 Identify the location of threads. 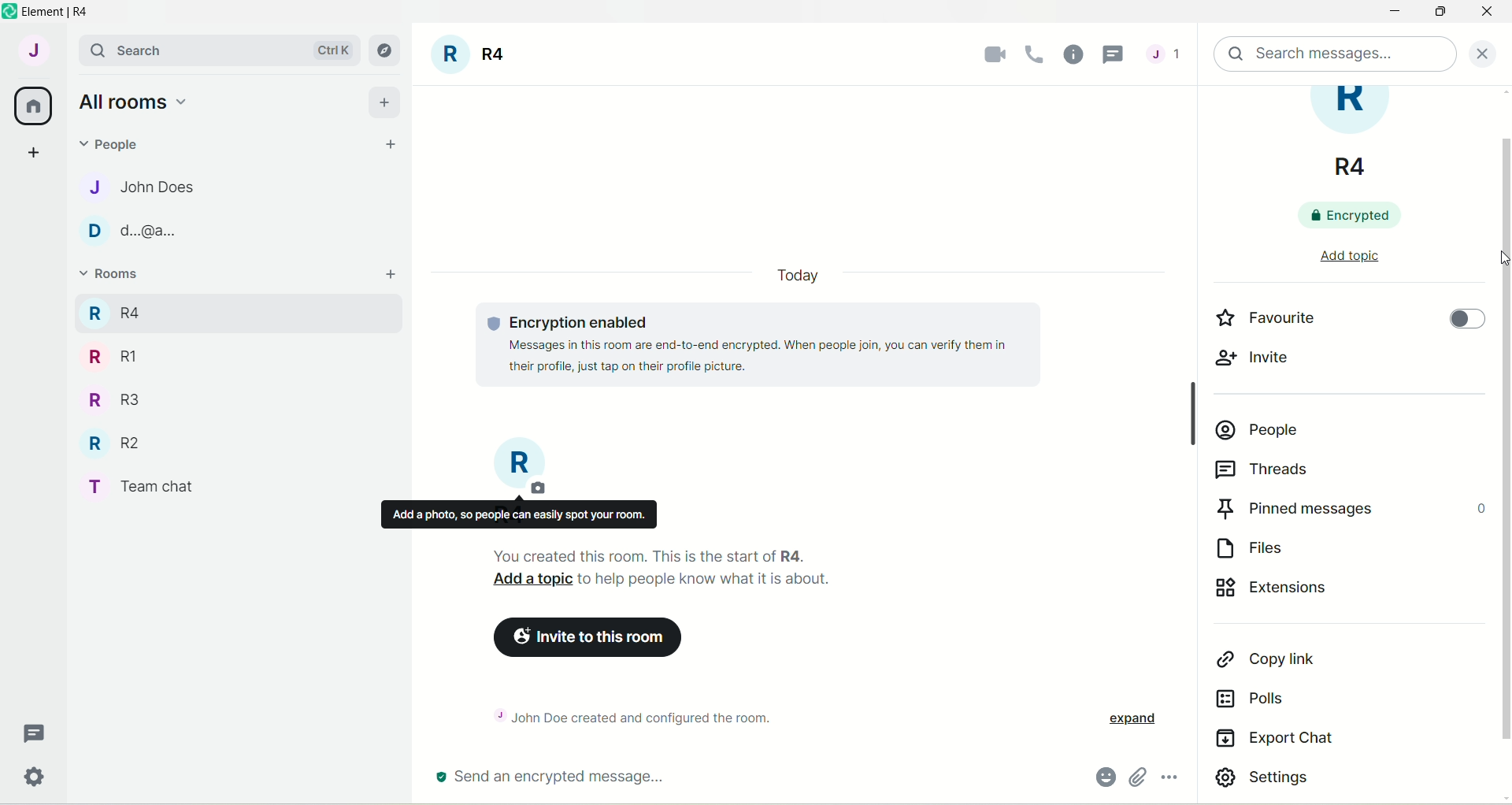
(35, 734).